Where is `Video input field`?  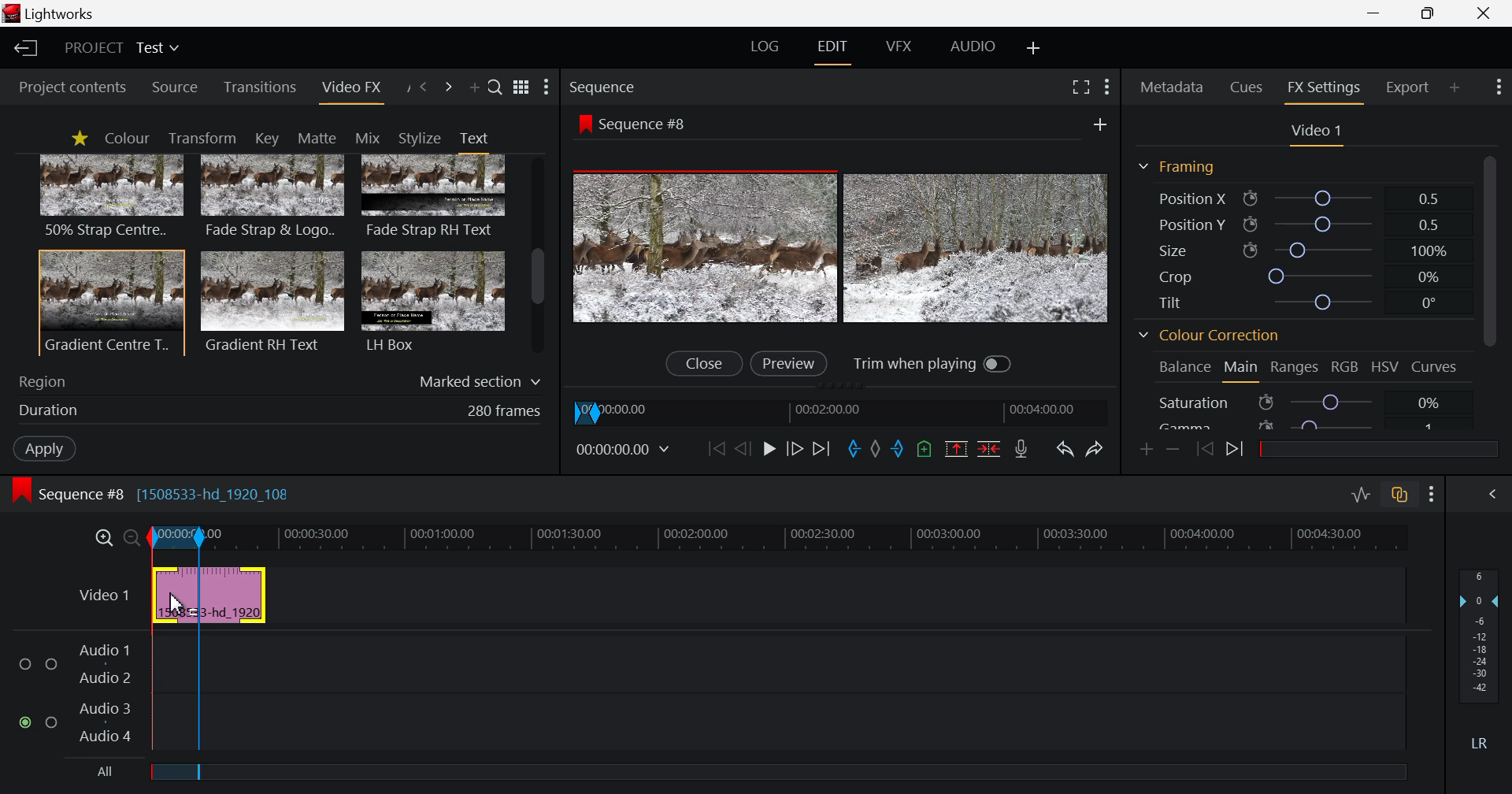 Video input field is located at coordinates (216, 593).